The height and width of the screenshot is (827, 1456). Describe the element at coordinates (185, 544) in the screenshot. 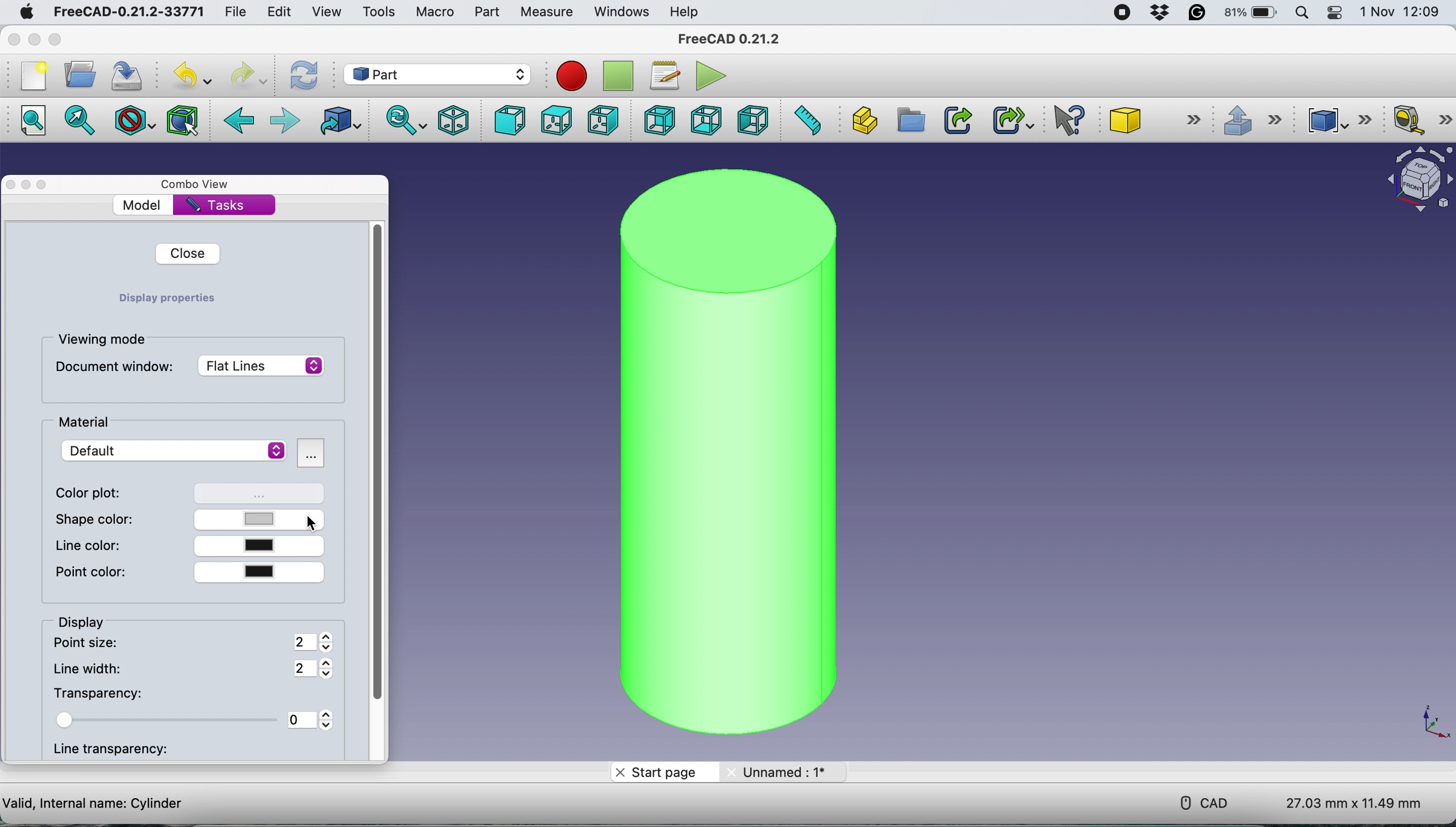

I see `line color` at that location.